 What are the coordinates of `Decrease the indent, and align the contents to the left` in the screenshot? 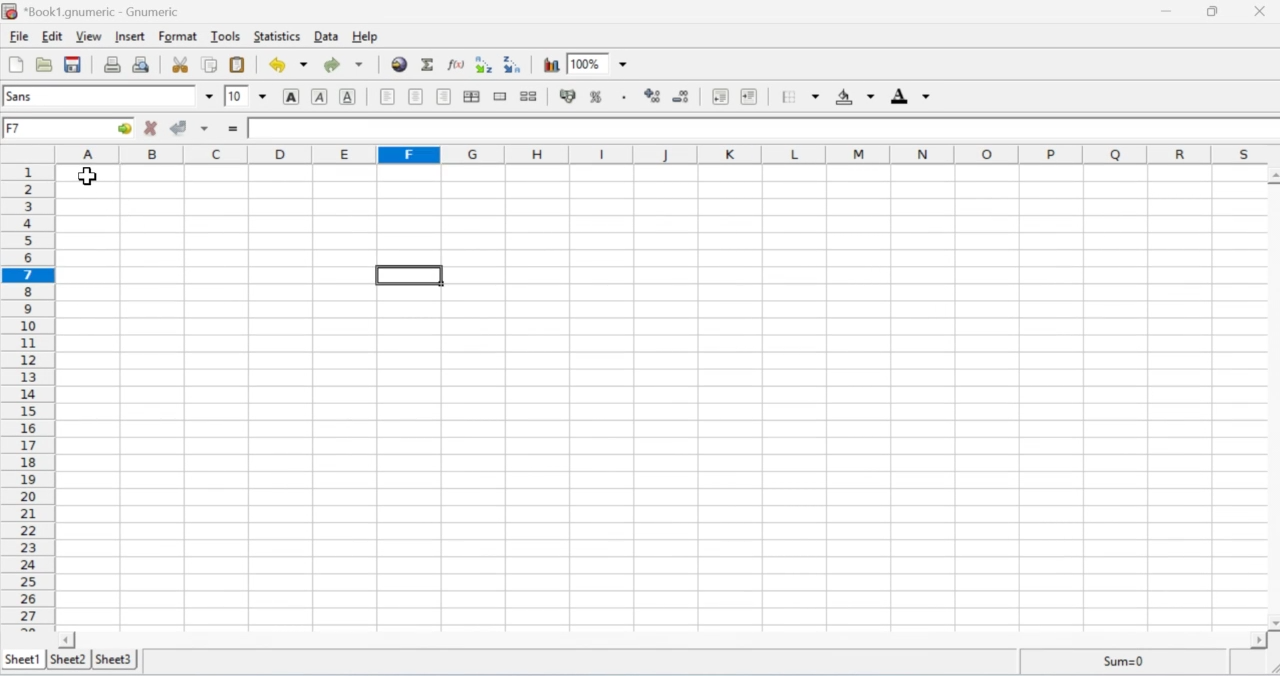 It's located at (720, 96).